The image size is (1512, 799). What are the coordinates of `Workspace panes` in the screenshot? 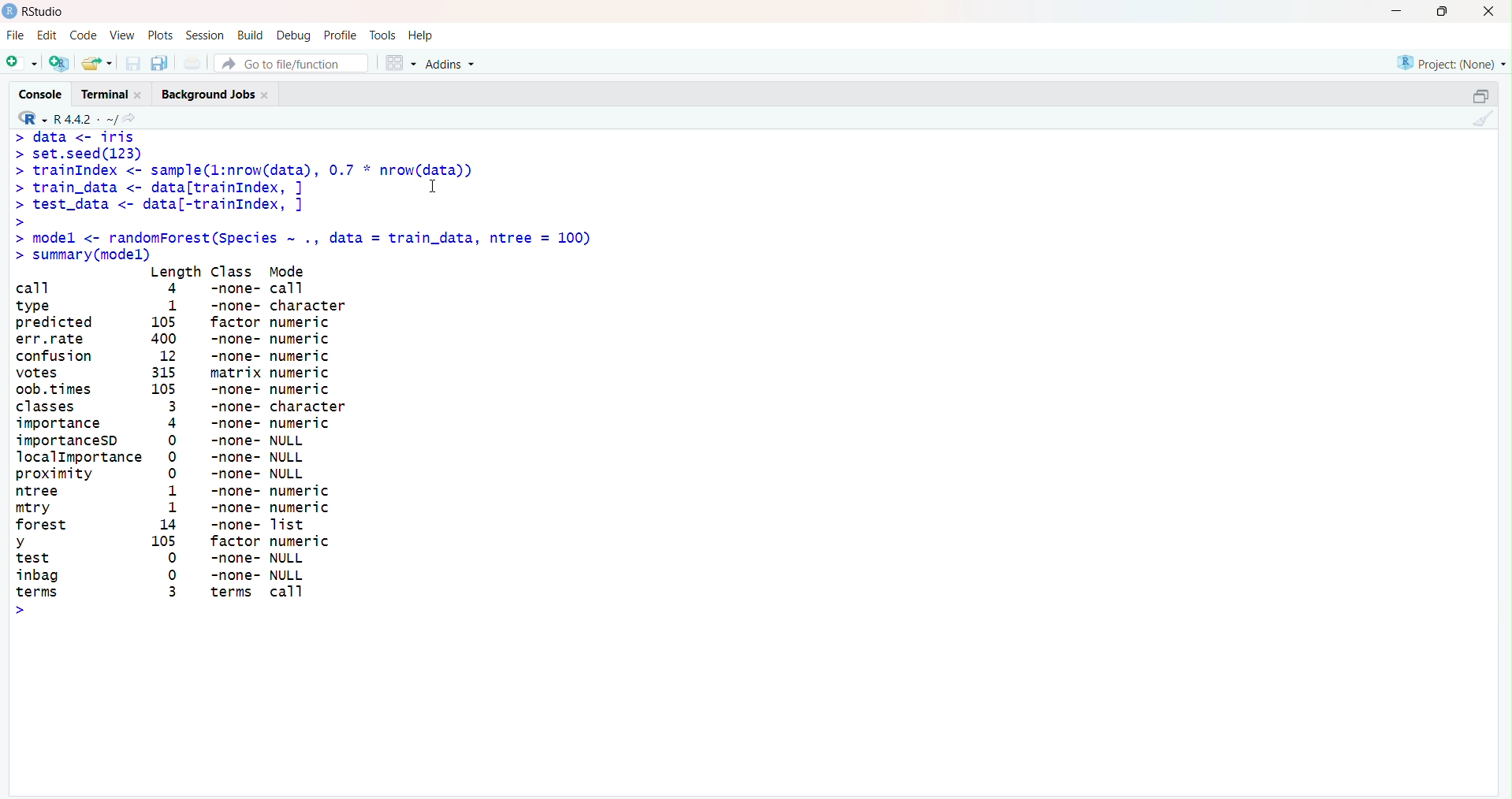 It's located at (397, 61).